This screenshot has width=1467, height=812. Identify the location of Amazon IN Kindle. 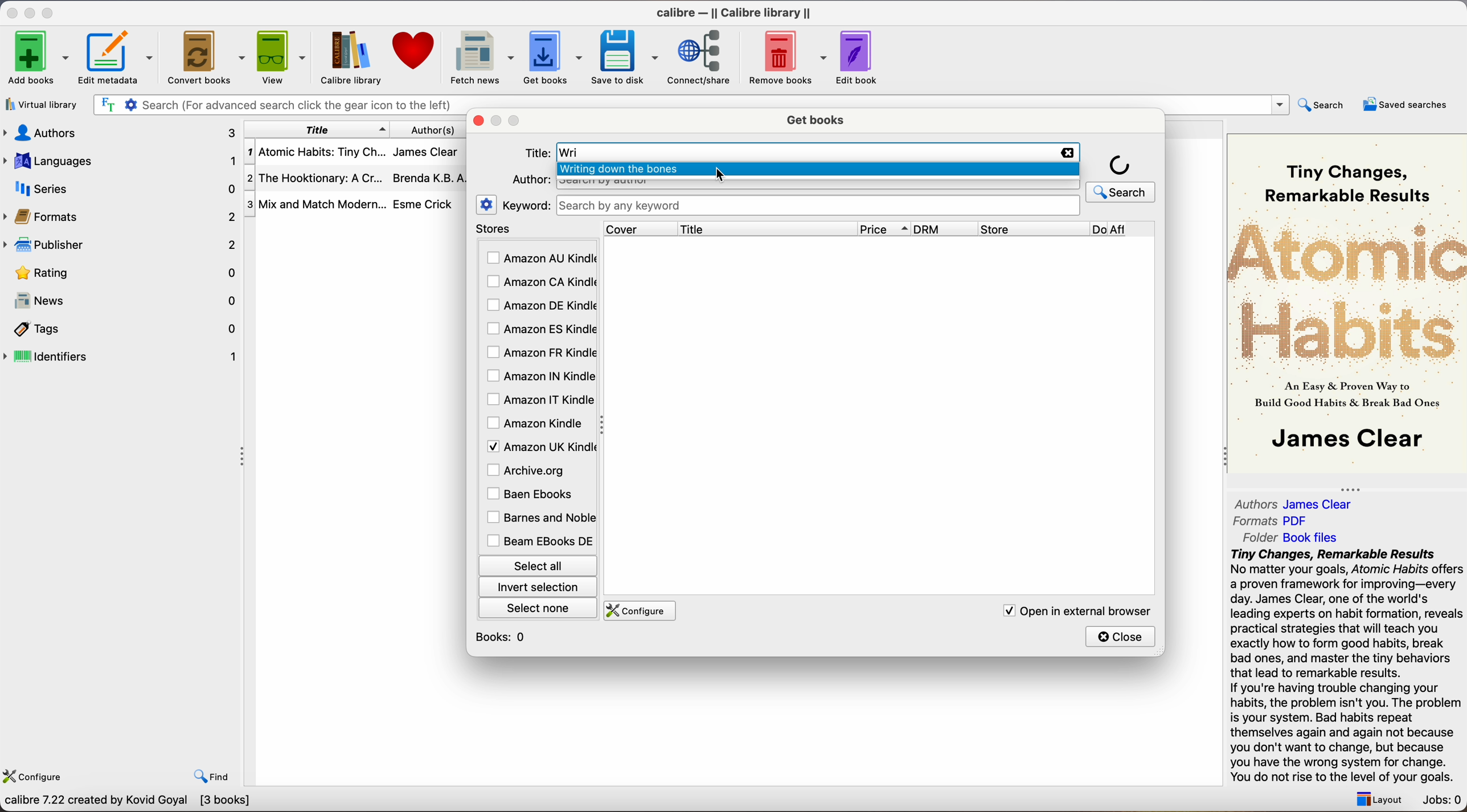
(539, 375).